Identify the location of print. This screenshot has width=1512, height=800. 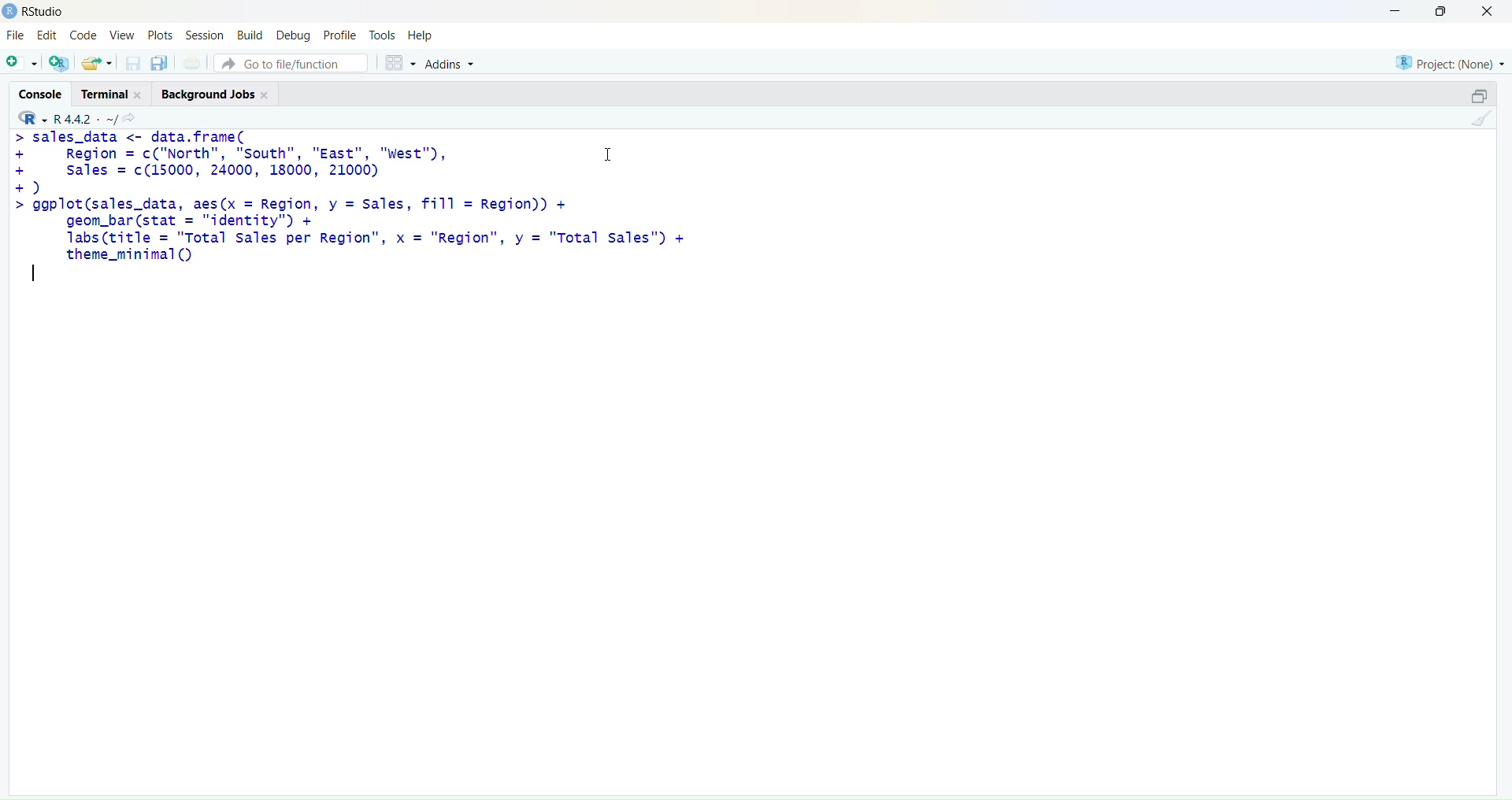
(192, 65).